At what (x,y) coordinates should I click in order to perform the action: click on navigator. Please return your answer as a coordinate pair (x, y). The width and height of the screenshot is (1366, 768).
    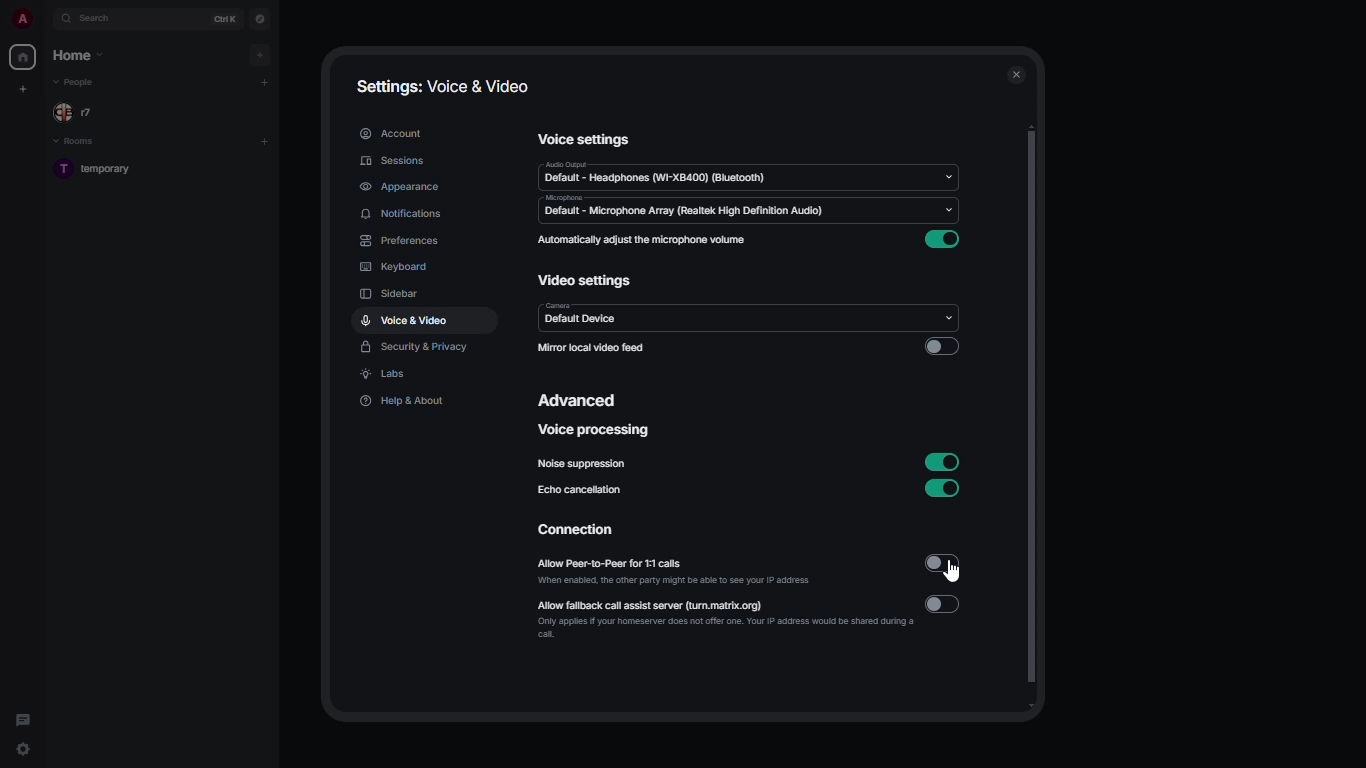
    Looking at the image, I should click on (261, 18).